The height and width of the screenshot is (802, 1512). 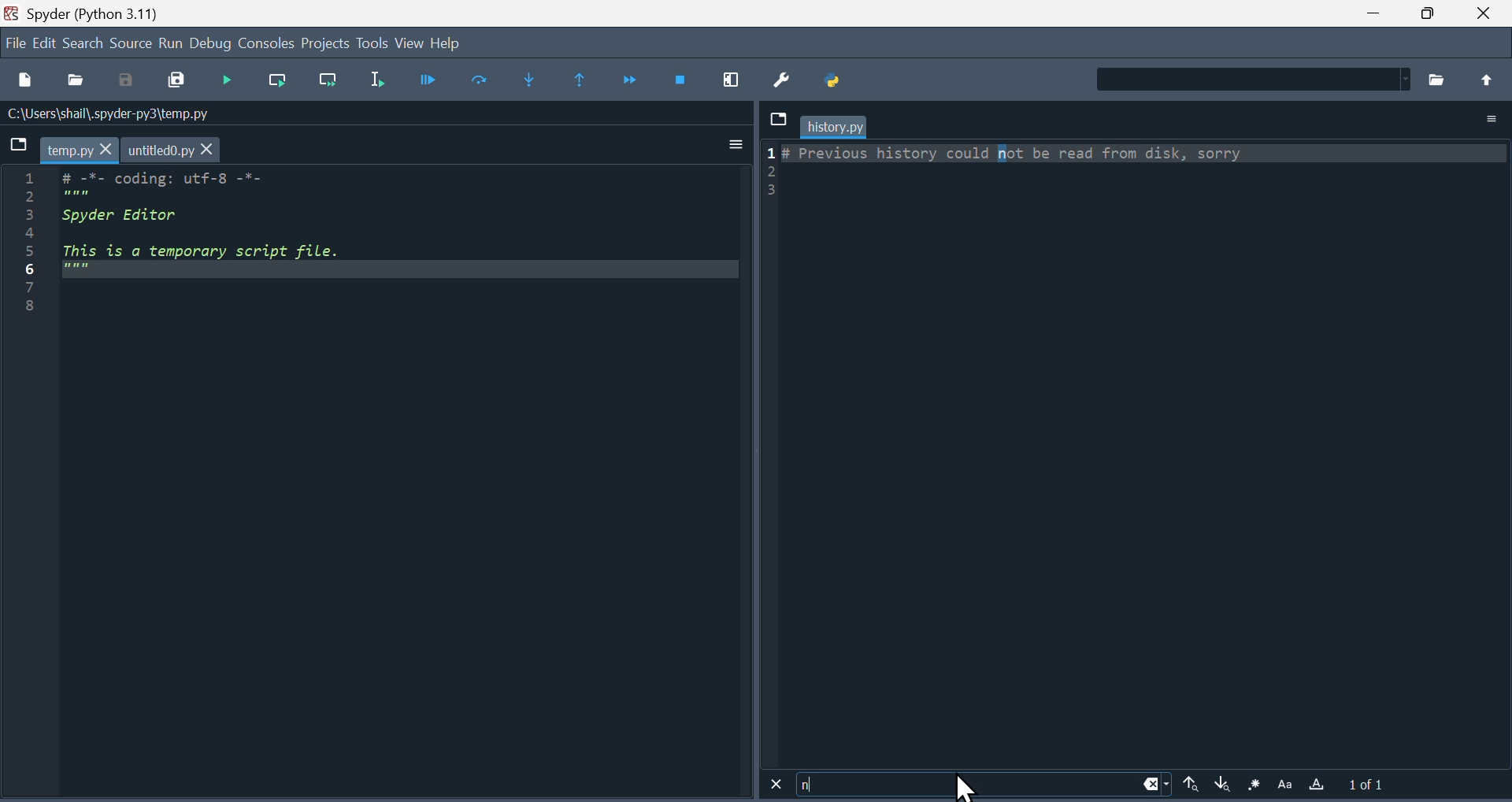 What do you see at coordinates (1441, 78) in the screenshot?
I see `Browse` at bounding box center [1441, 78].